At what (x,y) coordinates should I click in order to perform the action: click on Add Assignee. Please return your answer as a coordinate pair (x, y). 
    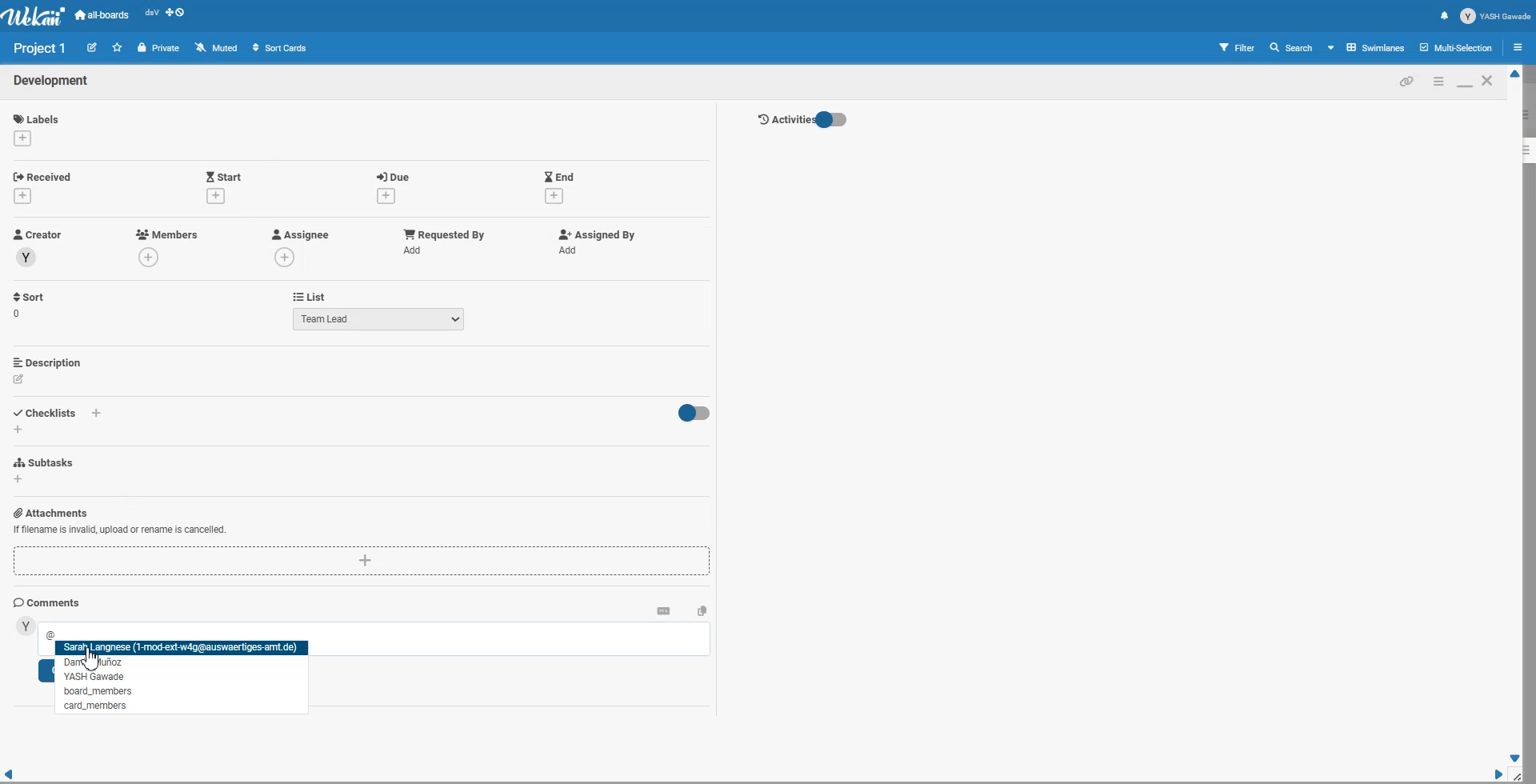
    Looking at the image, I should click on (299, 234).